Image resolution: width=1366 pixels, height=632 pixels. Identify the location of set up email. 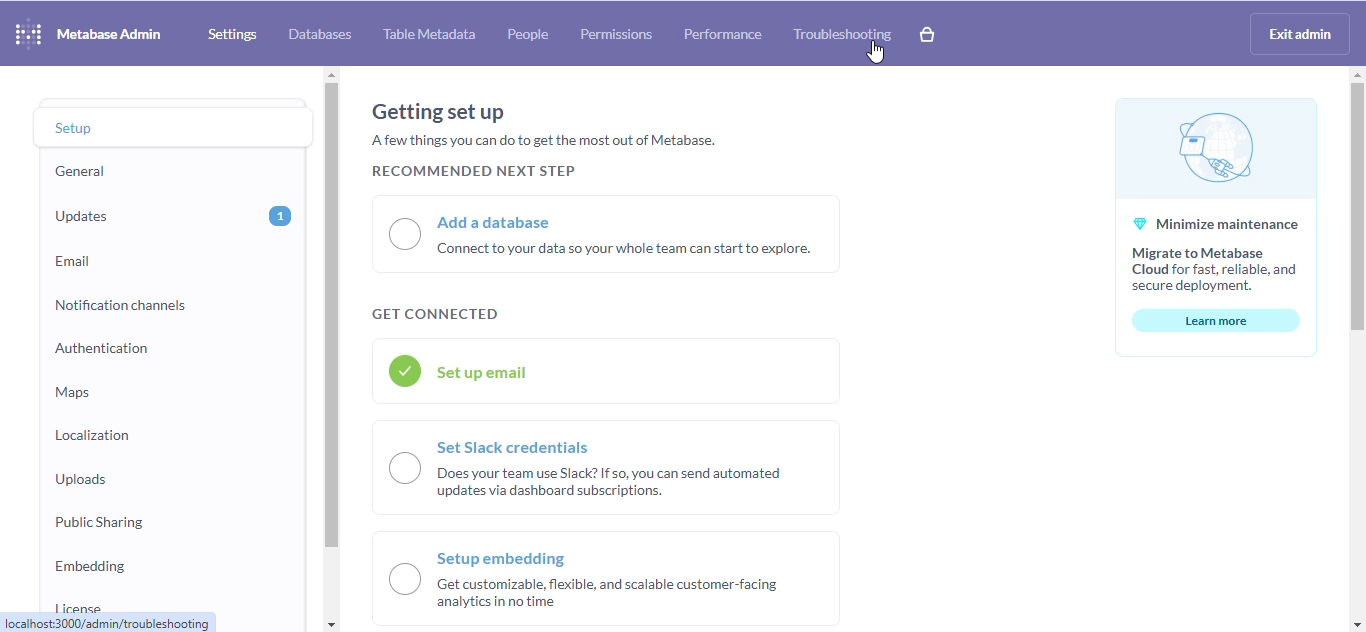
(608, 371).